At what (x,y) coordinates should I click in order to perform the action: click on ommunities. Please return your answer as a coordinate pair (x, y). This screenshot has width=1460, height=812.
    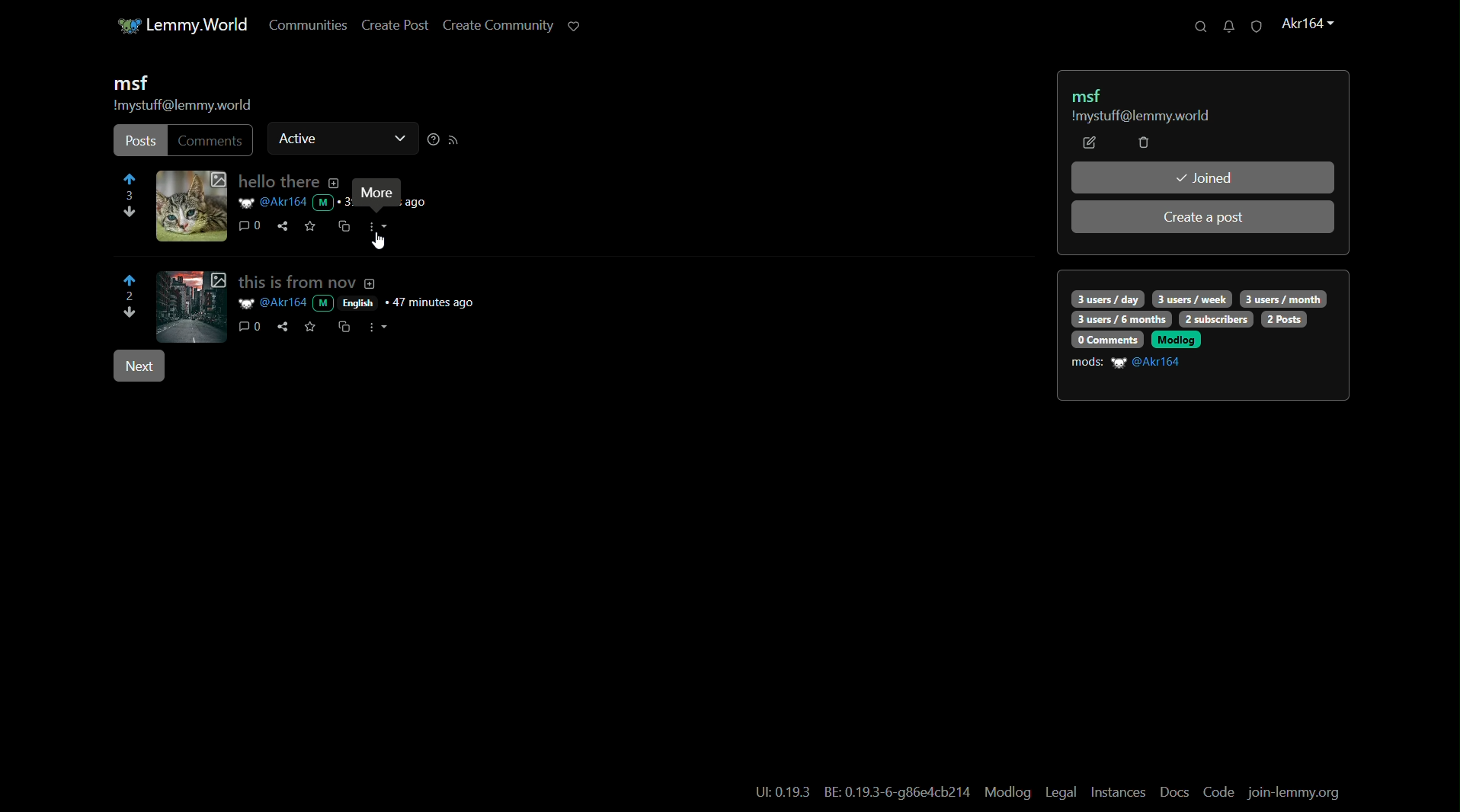
    Looking at the image, I should click on (301, 26).